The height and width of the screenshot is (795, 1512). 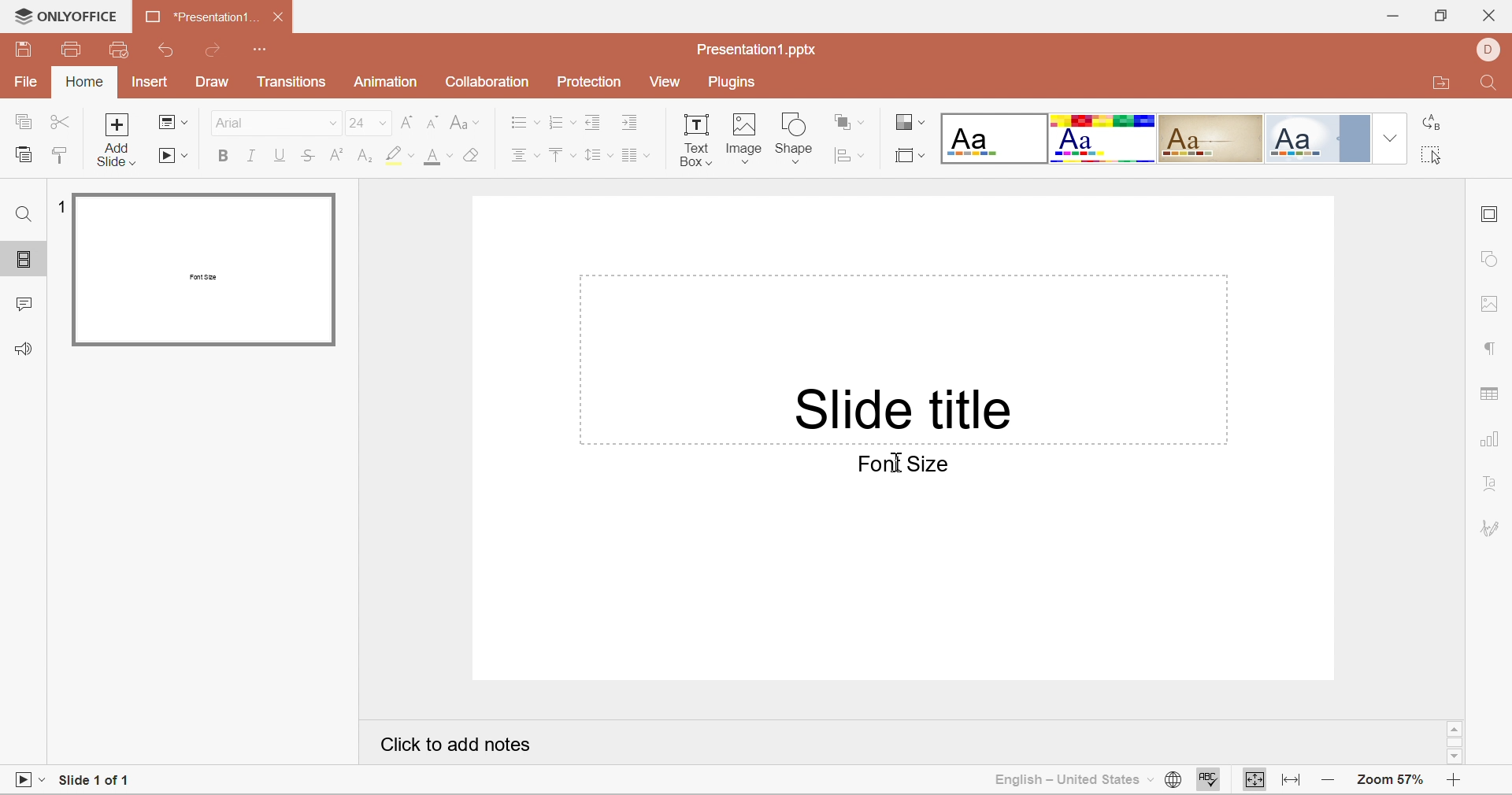 I want to click on Fit to slide, so click(x=1255, y=781).